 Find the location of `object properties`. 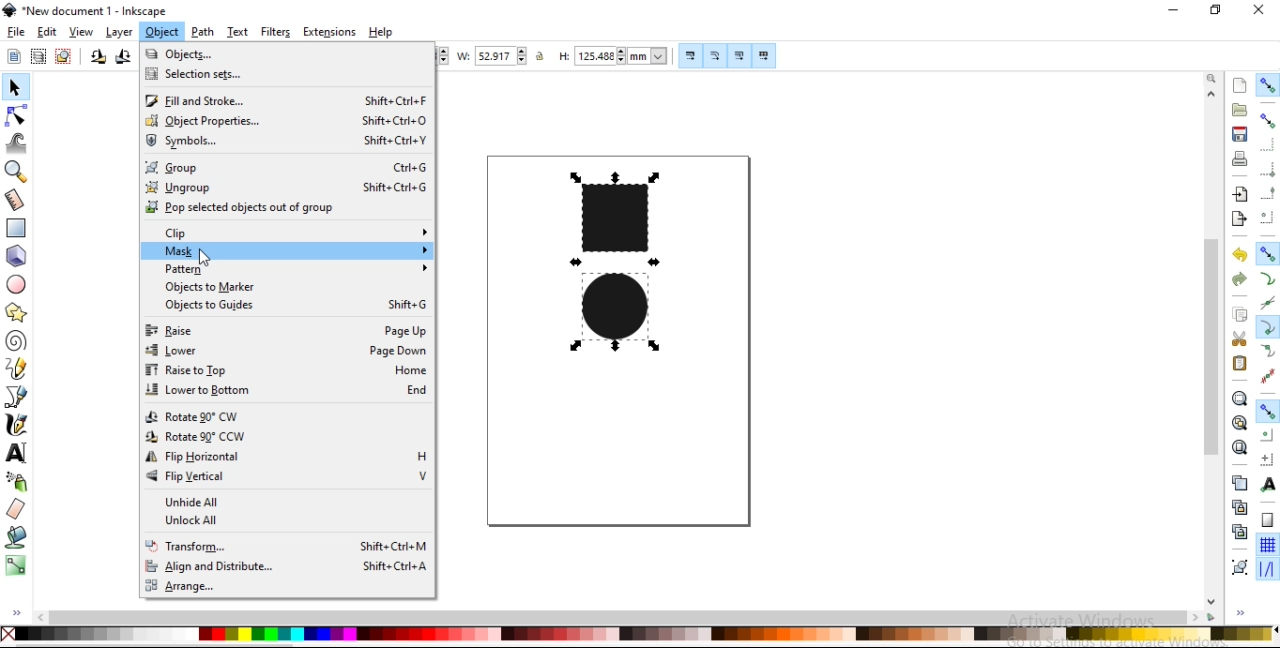

object properties is located at coordinates (285, 124).